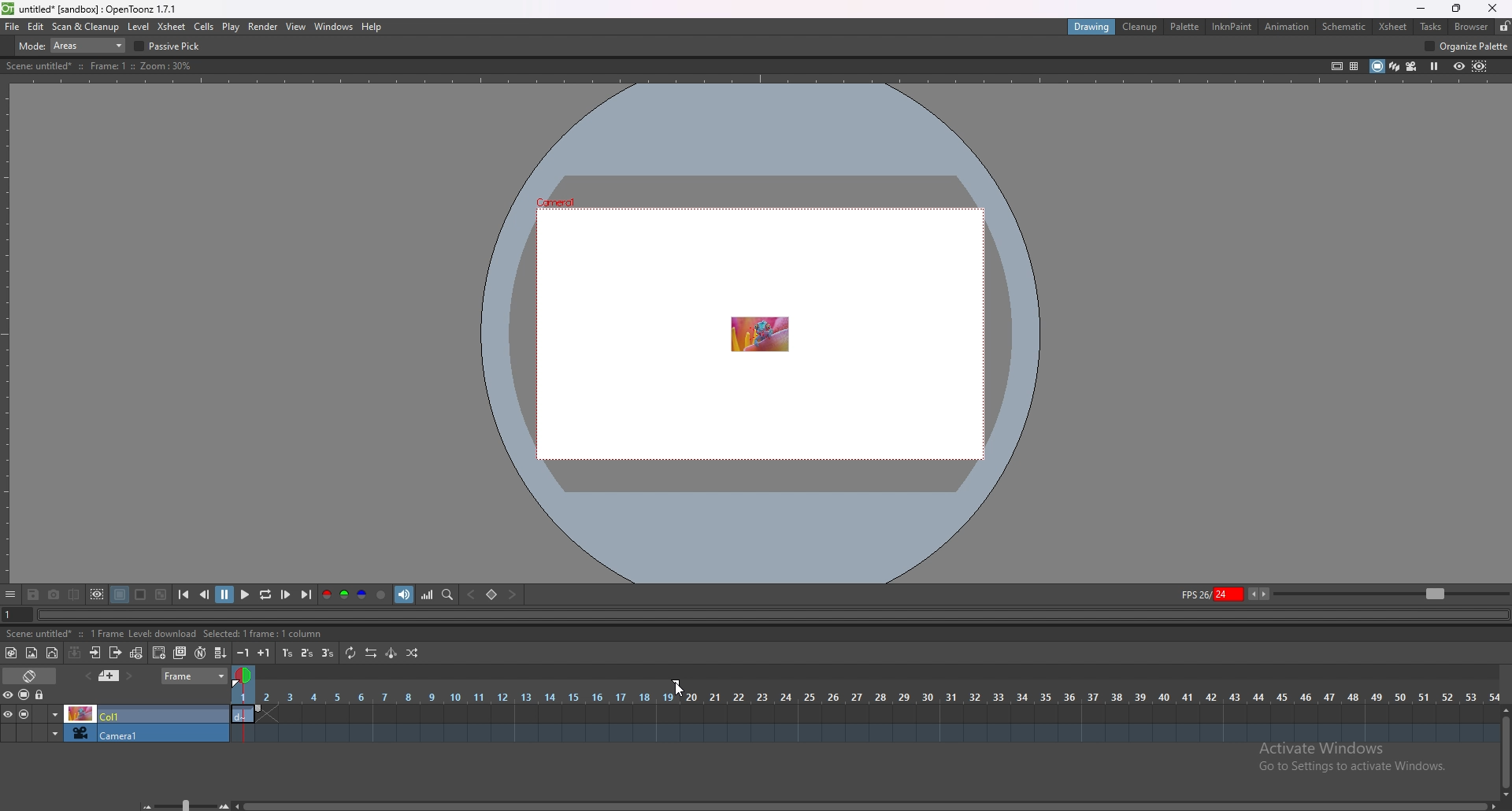  Describe the element at coordinates (472, 594) in the screenshot. I see `previous key` at that location.